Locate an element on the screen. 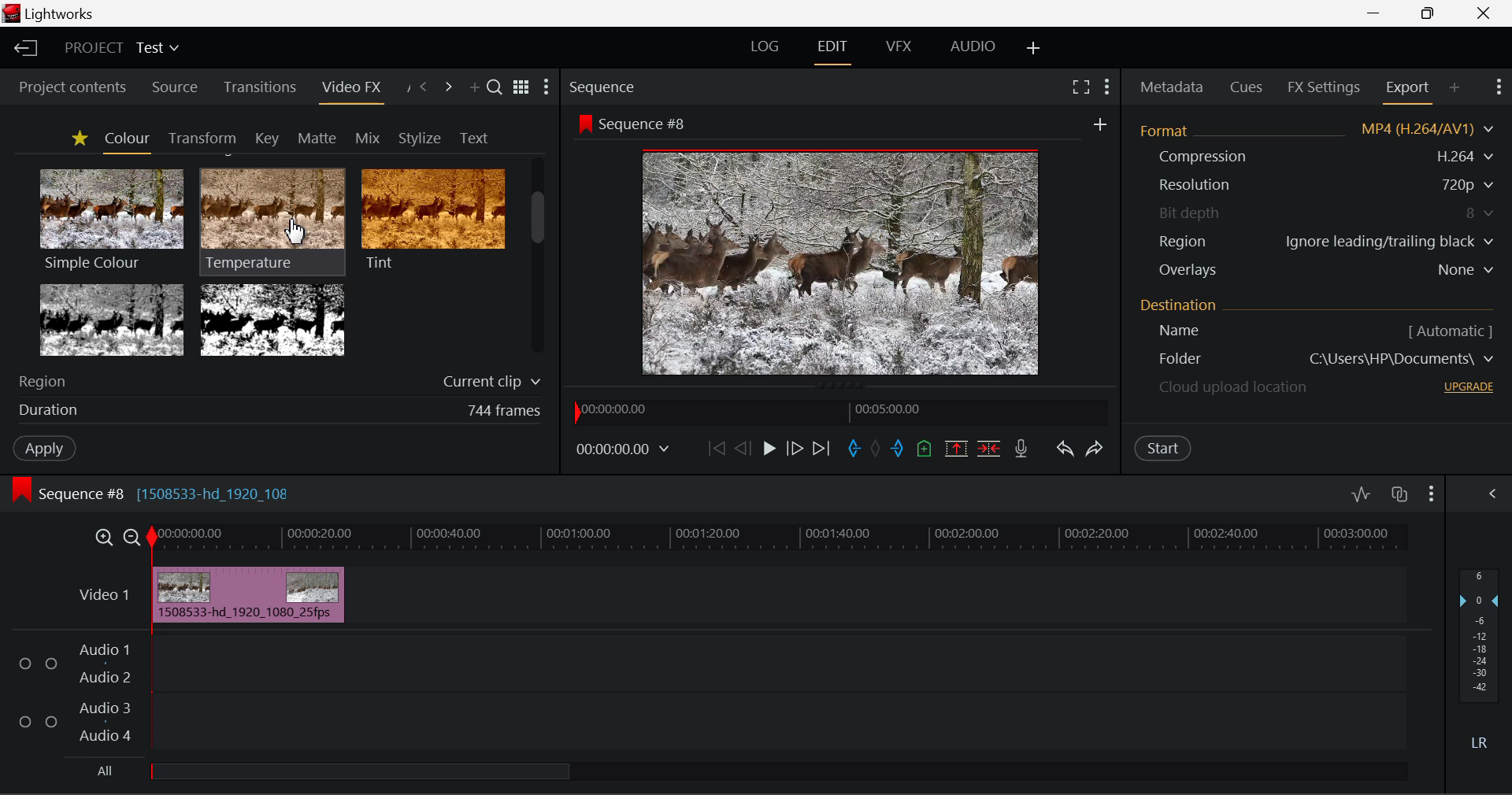  C\Users\HP\Documents\  is located at coordinates (1402, 358).